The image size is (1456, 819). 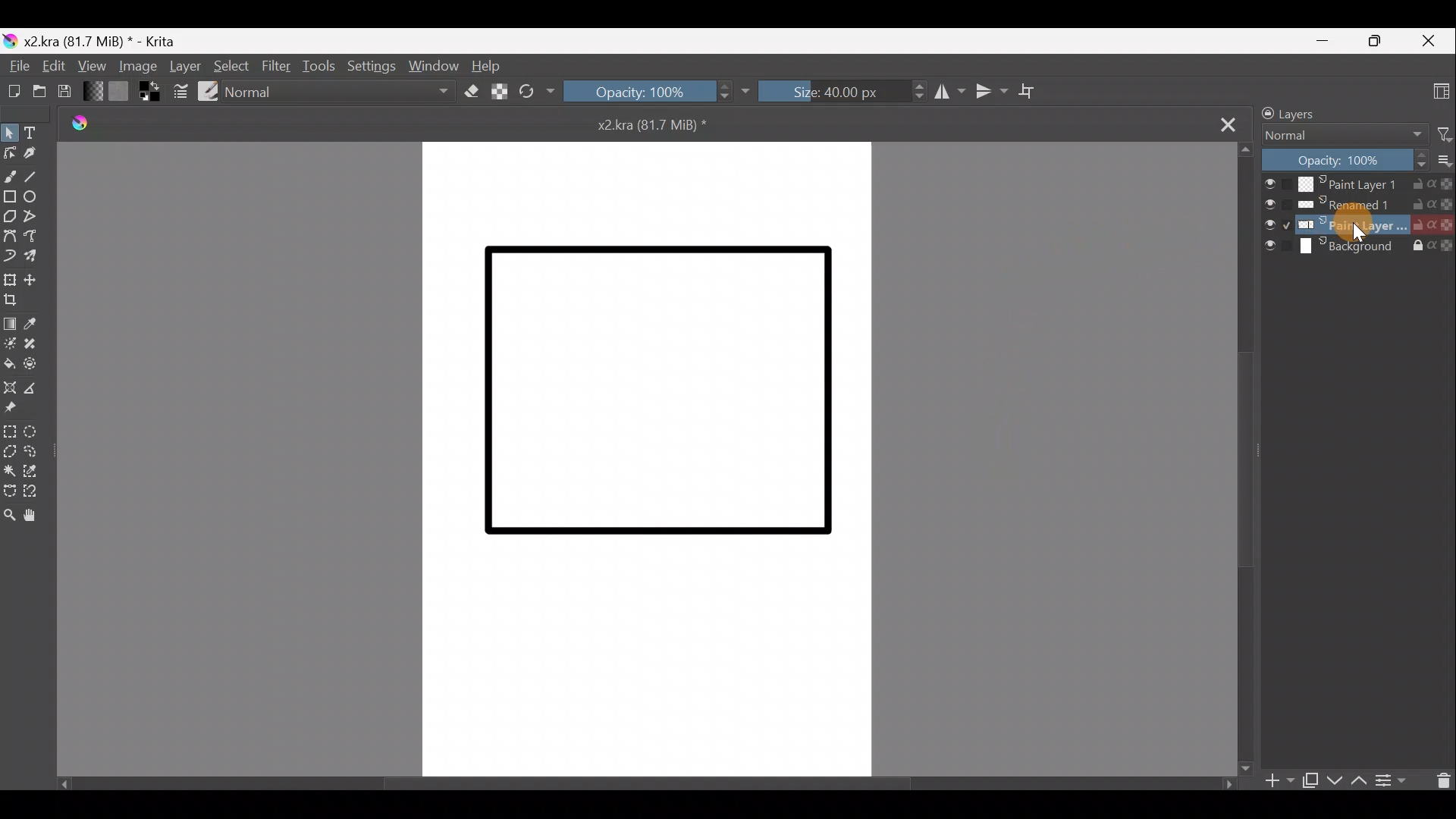 I want to click on Opacity: 100%, so click(x=1345, y=159).